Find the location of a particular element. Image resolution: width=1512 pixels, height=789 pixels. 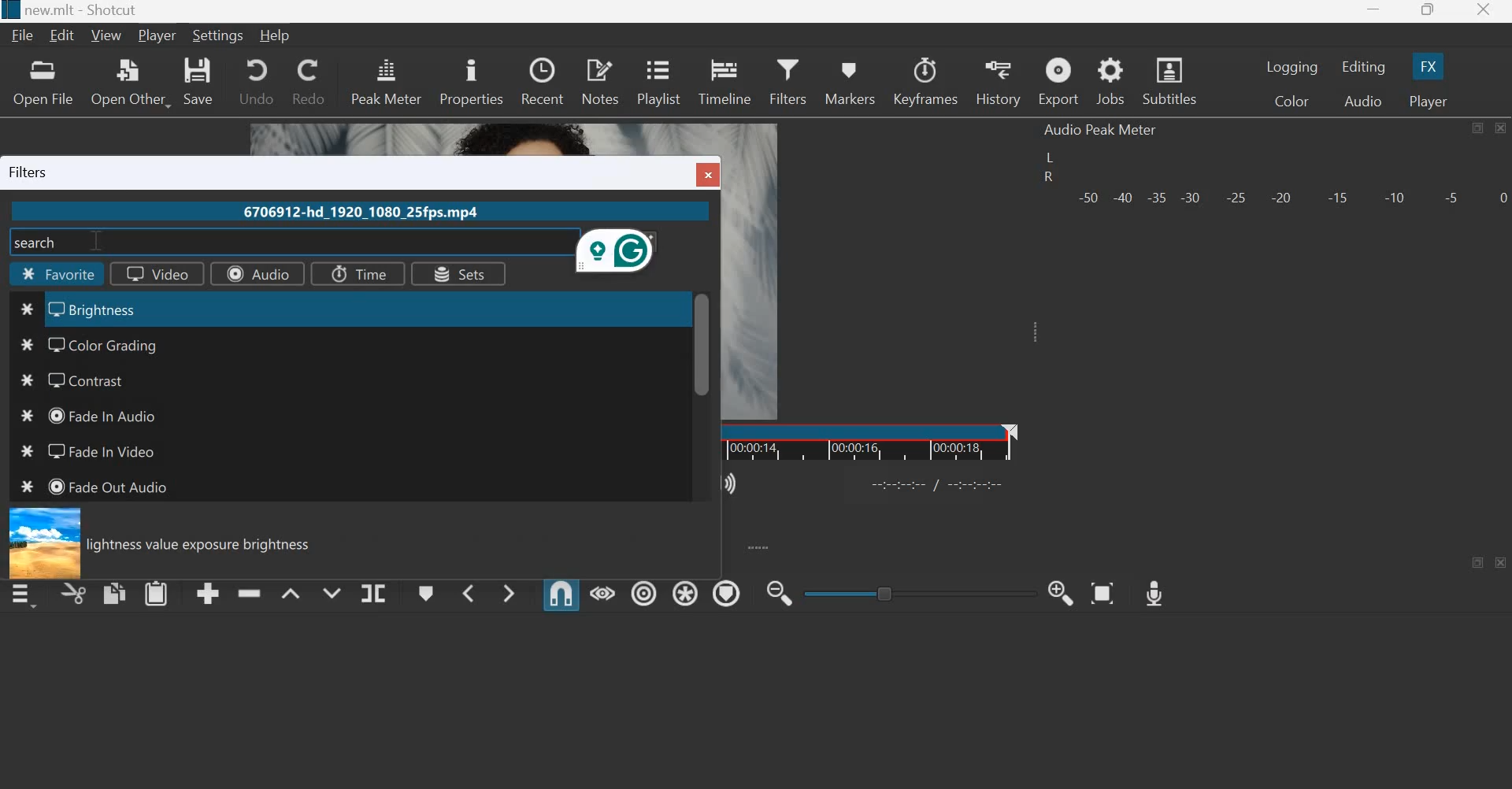

Fade out Audio is located at coordinates (113, 487).